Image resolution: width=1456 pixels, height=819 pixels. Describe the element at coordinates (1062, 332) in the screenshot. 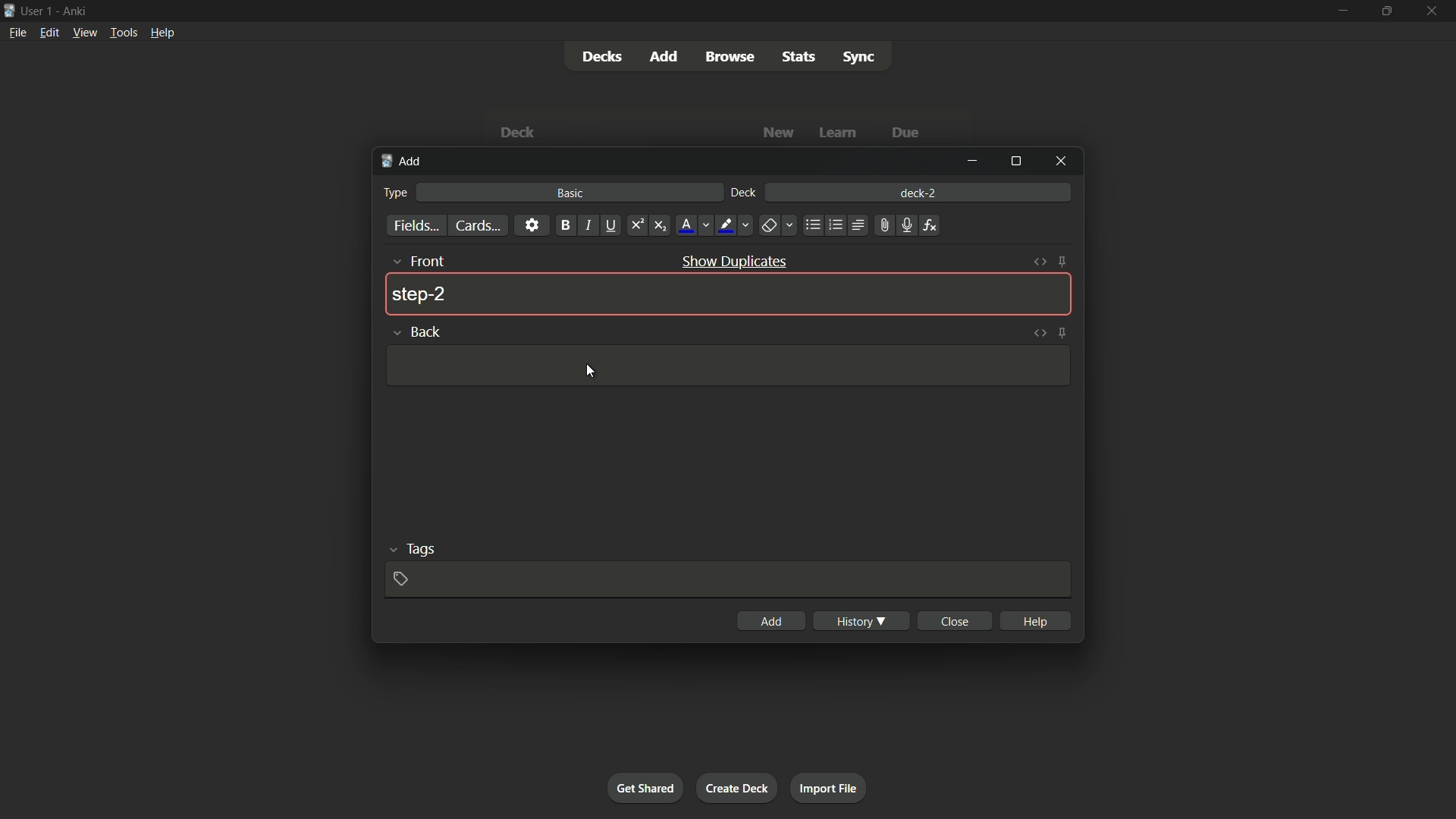

I see `toggle sticky` at that location.